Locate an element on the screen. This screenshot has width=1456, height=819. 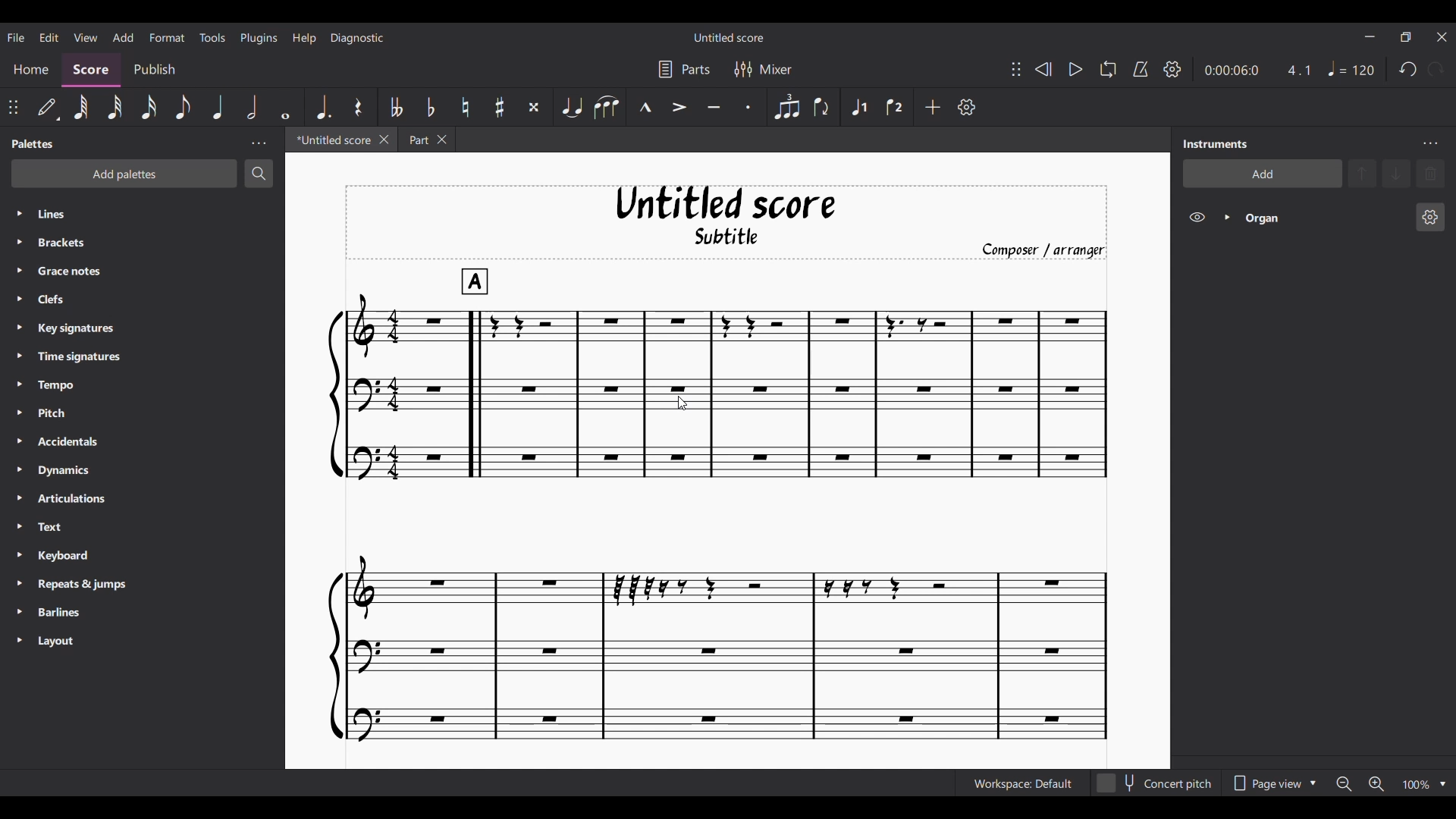
Metronome is located at coordinates (1140, 70).